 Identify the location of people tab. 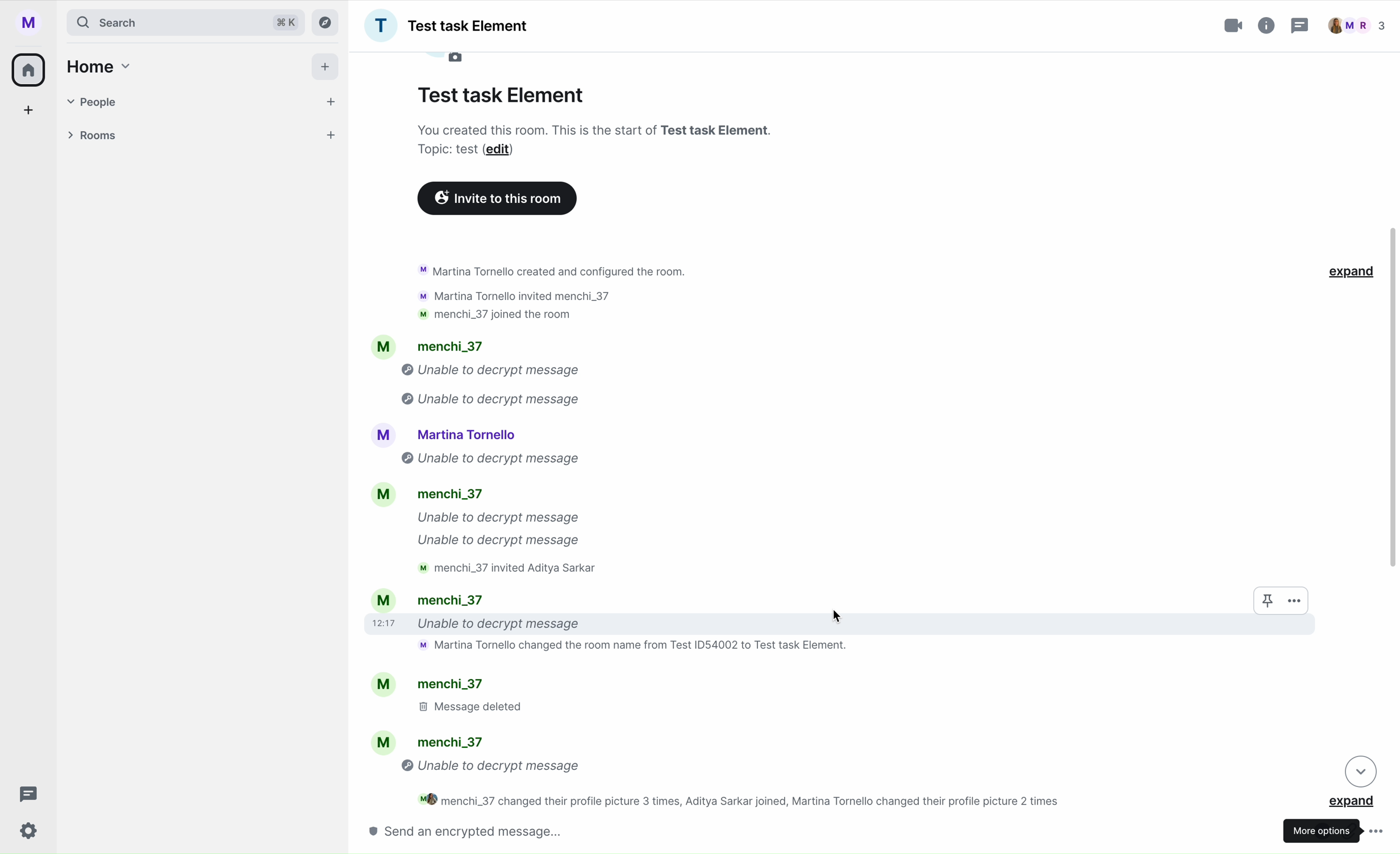
(203, 102).